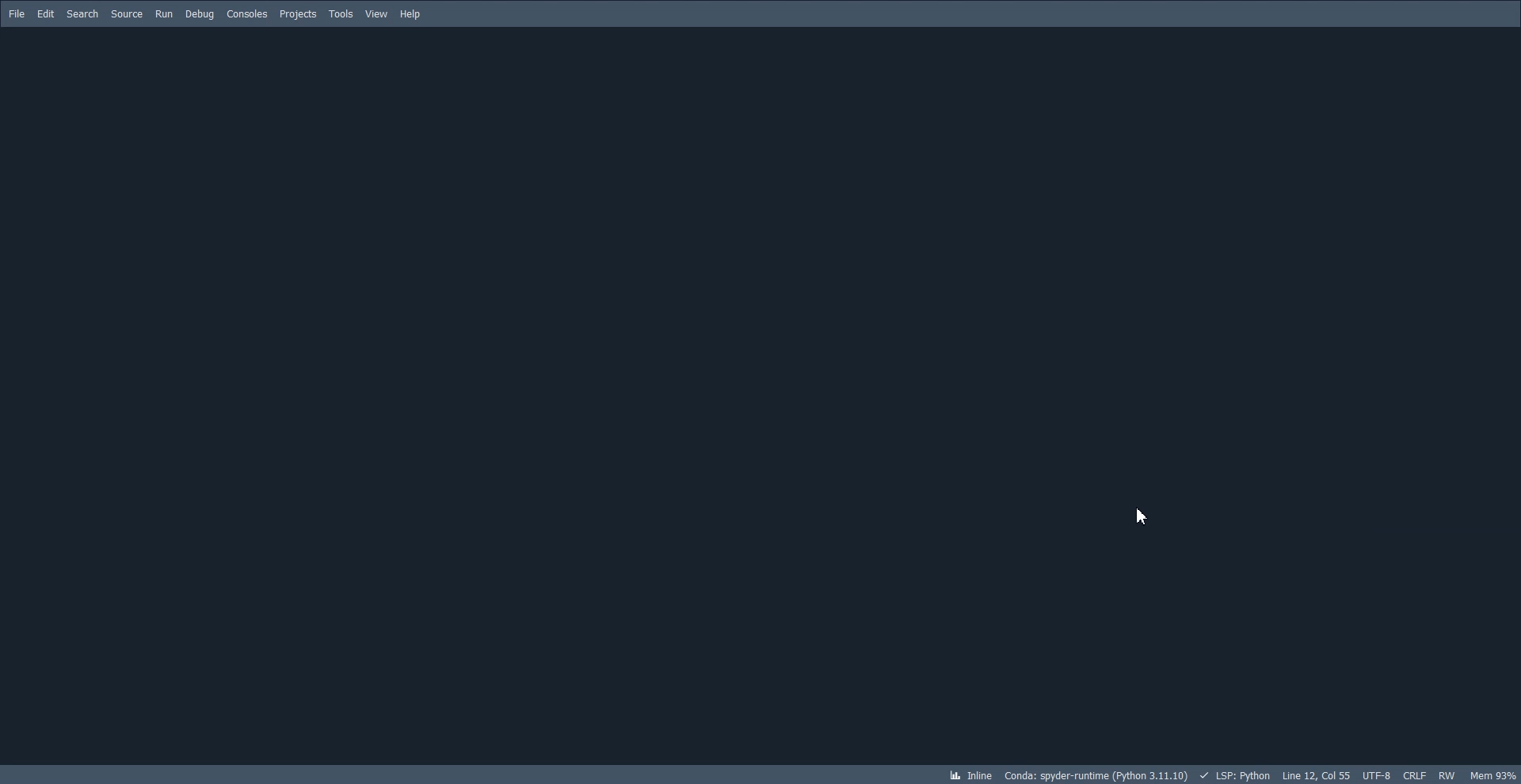 The image size is (1521, 784). Describe the element at coordinates (410, 13) in the screenshot. I see `Help` at that location.